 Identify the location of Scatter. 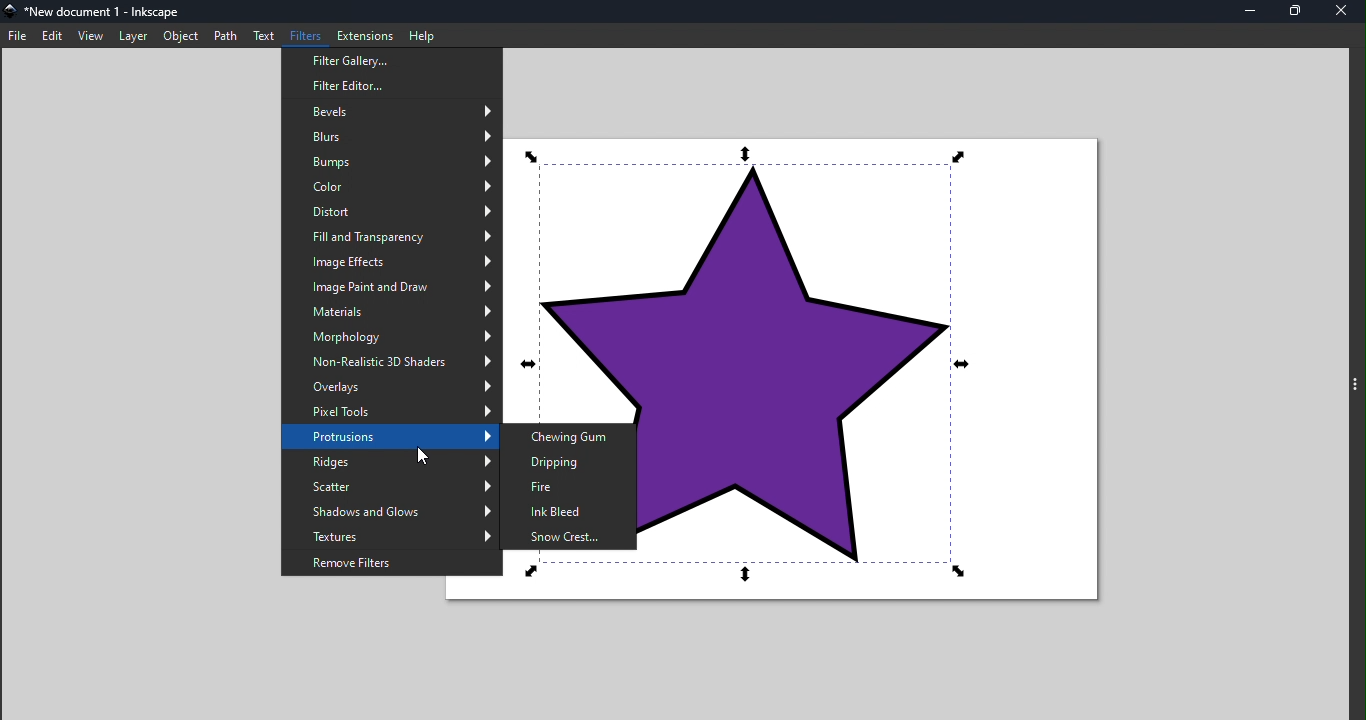
(389, 486).